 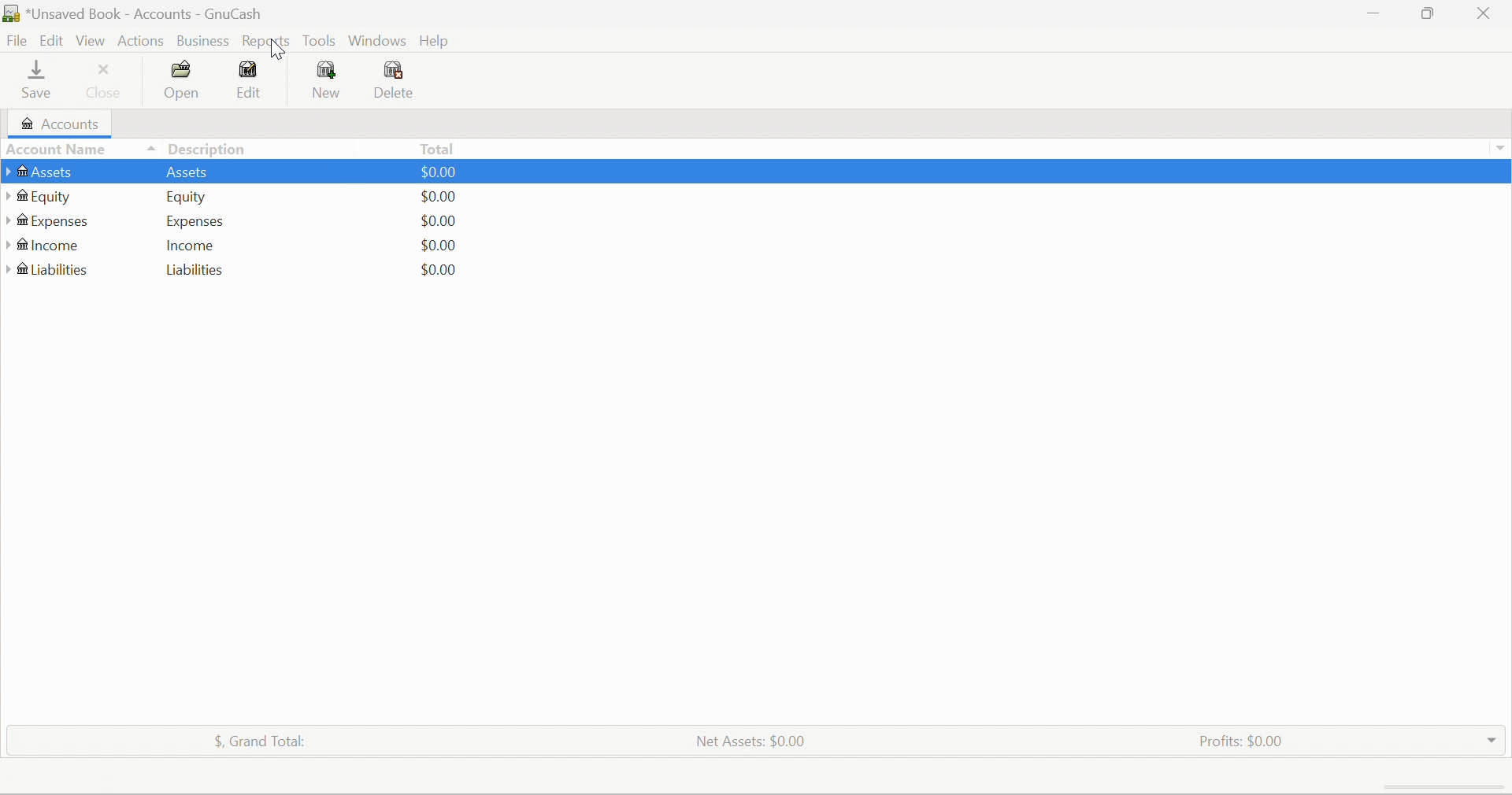 I want to click on Down arrow, so click(x=1501, y=150).